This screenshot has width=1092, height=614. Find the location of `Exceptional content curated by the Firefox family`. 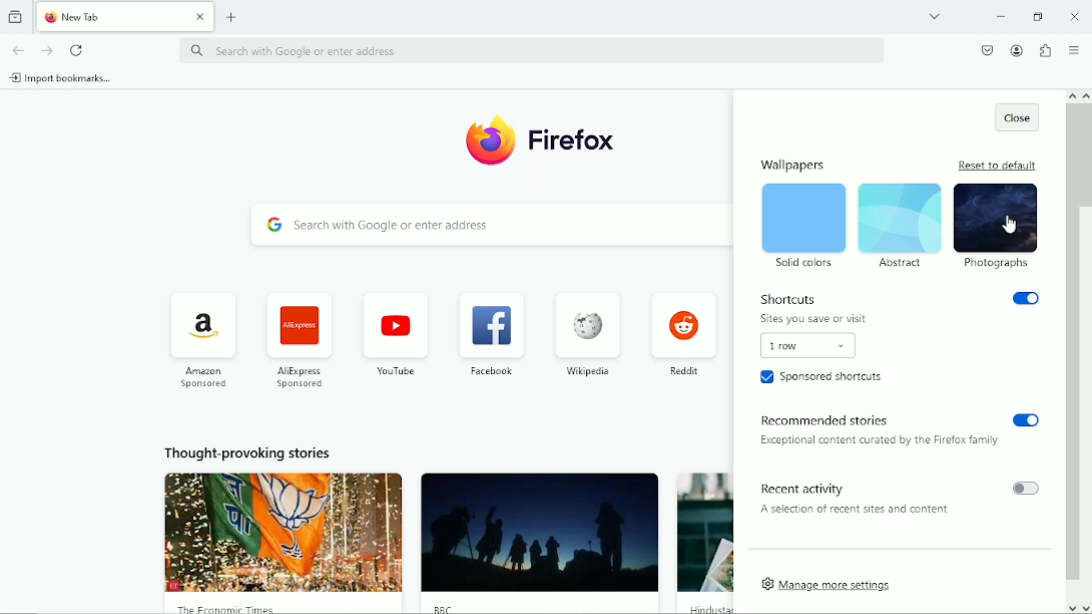

Exceptional content curated by the Firefox family is located at coordinates (881, 441).